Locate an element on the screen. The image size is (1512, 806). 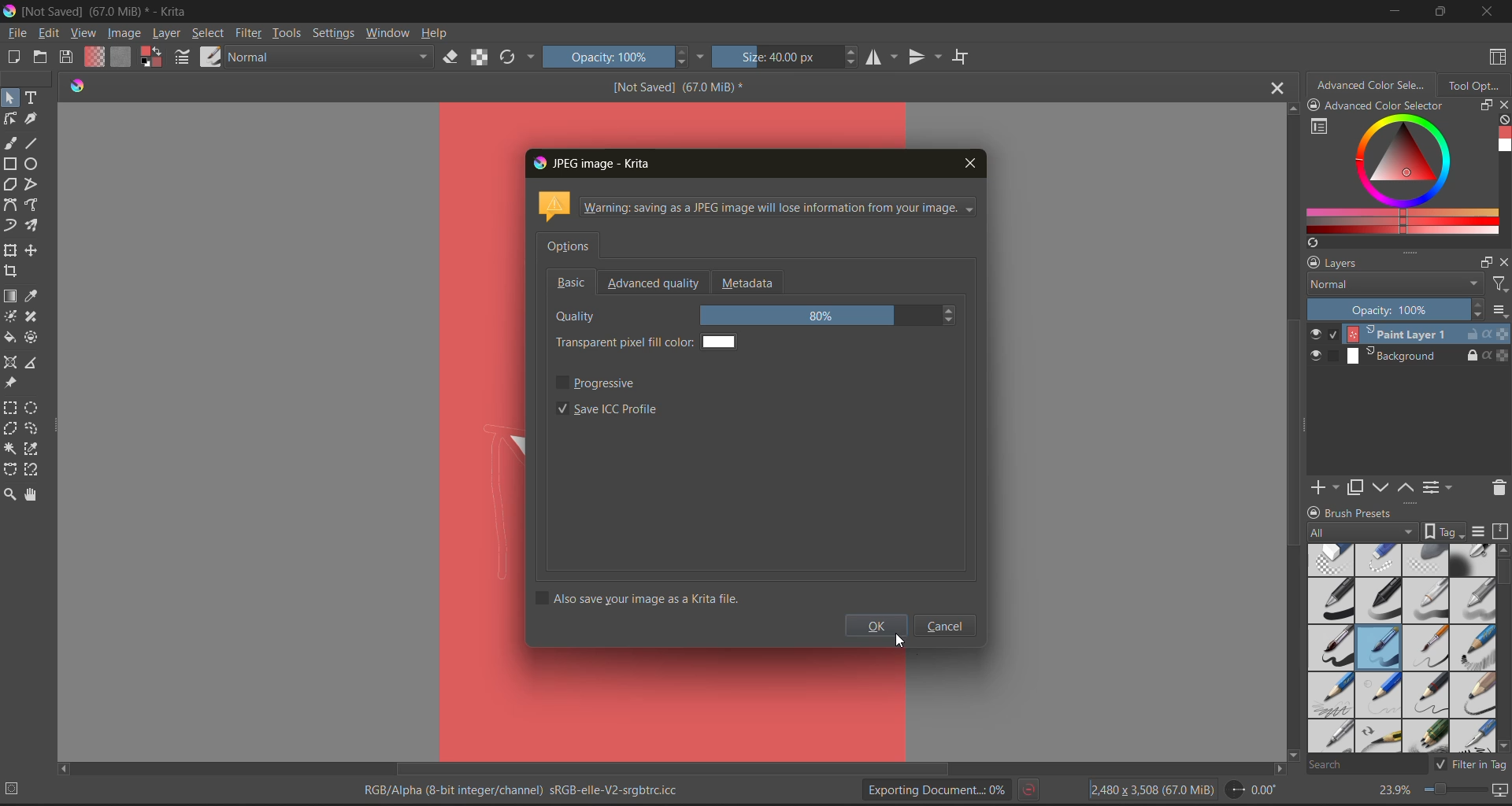
tools is located at coordinates (33, 165).